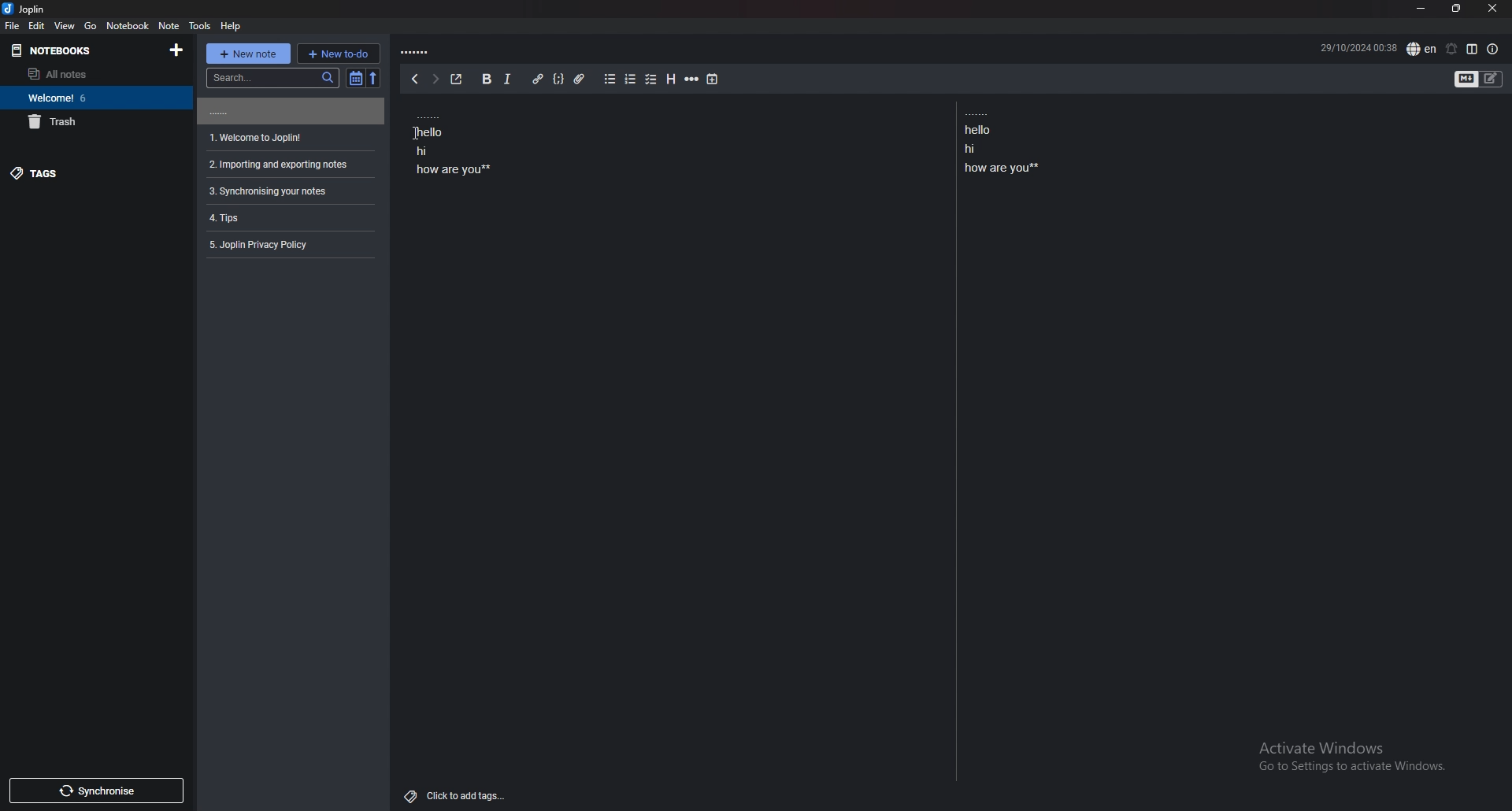  Describe the element at coordinates (13, 26) in the screenshot. I see `file` at that location.